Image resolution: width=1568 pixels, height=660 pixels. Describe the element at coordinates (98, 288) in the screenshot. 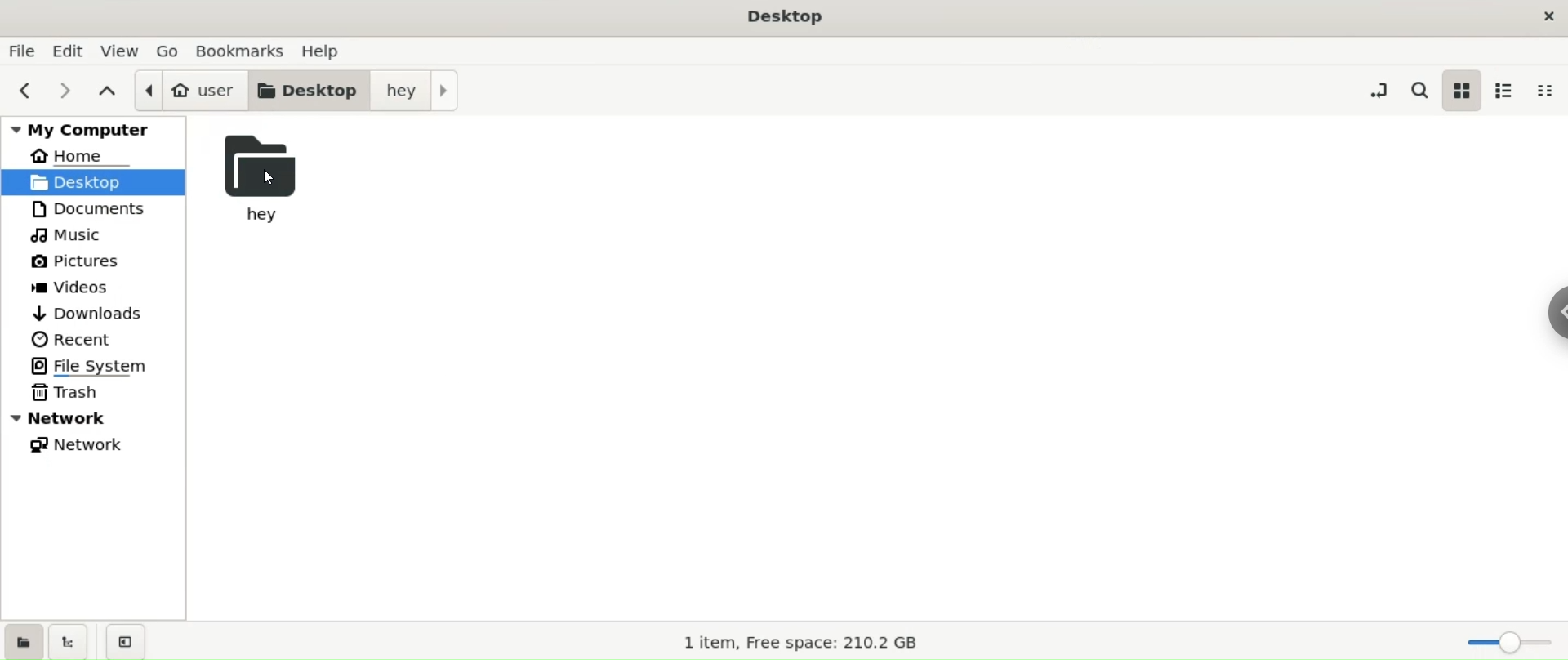

I see `videos` at that location.